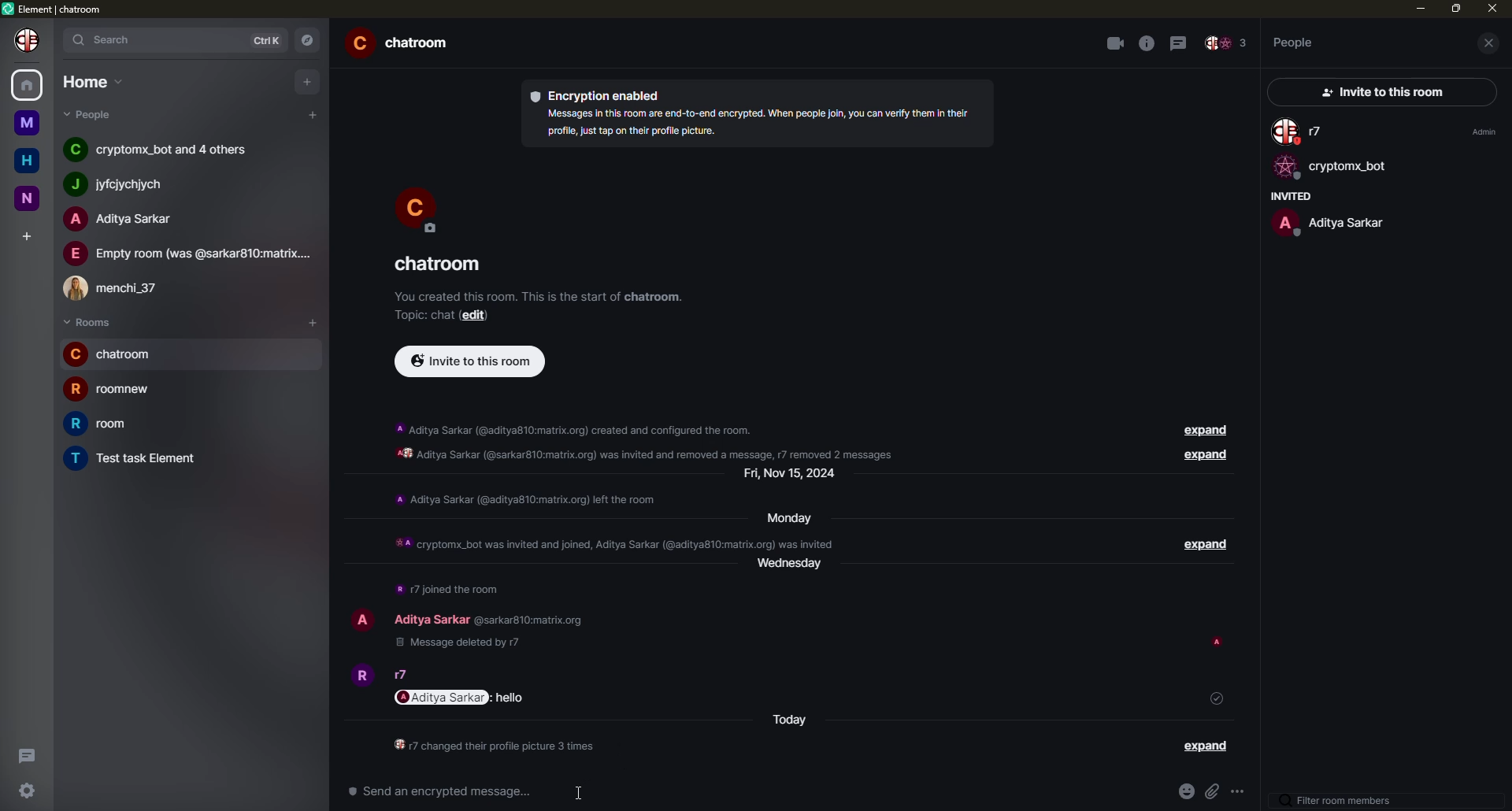  Describe the element at coordinates (1242, 795) in the screenshot. I see `options` at that location.